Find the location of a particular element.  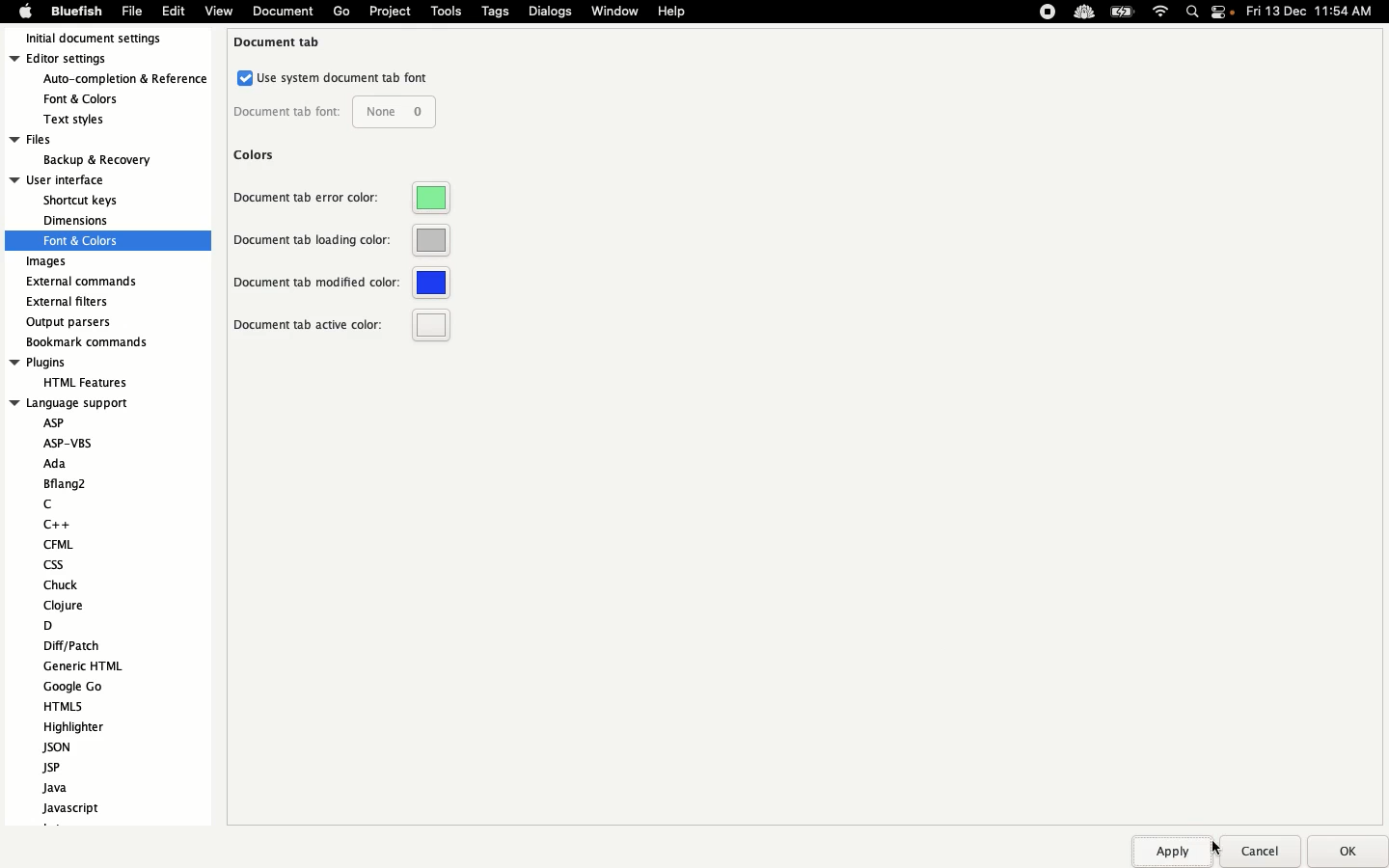

Plugins is located at coordinates (71, 363).